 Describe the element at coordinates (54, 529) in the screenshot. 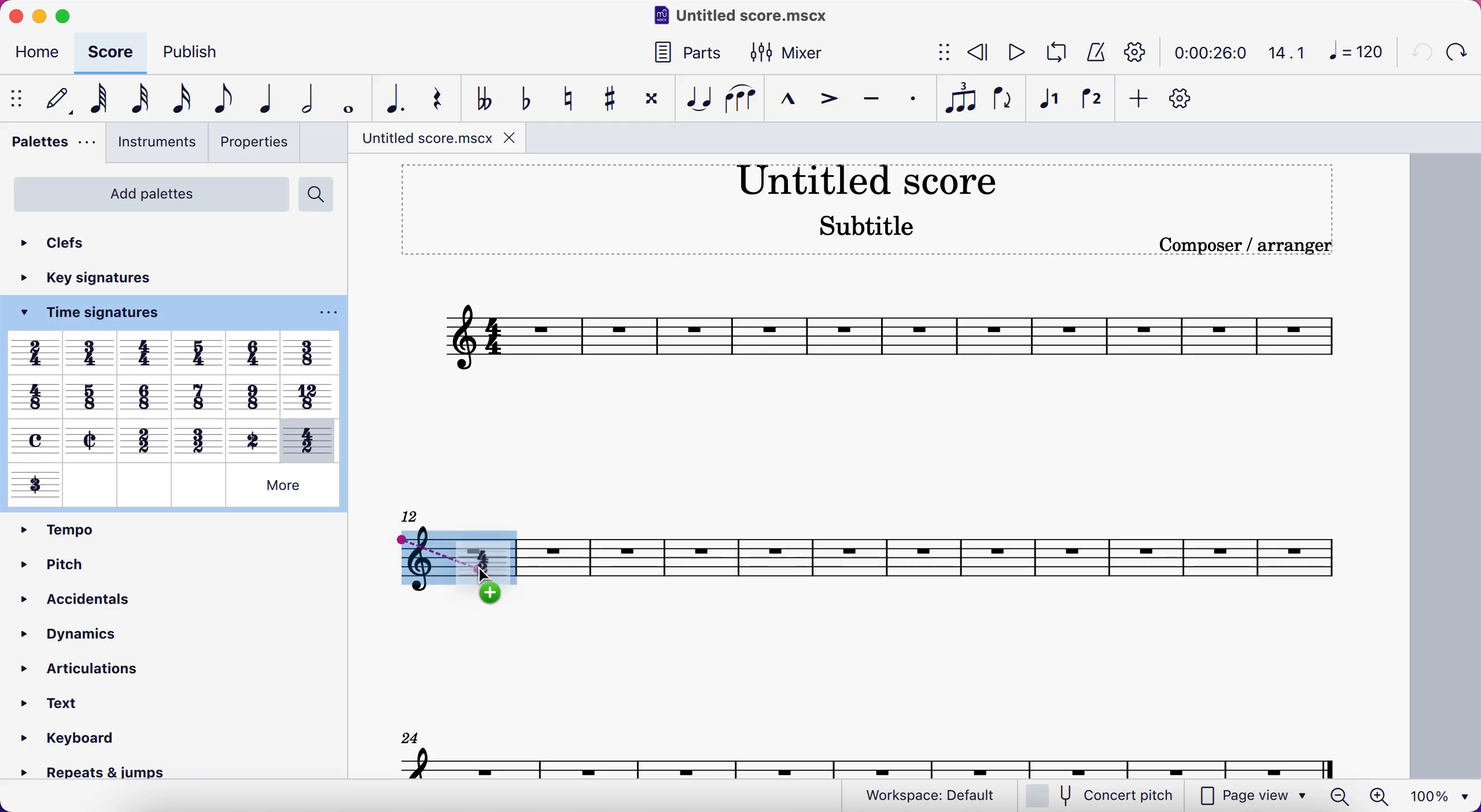

I see `tempo` at that location.